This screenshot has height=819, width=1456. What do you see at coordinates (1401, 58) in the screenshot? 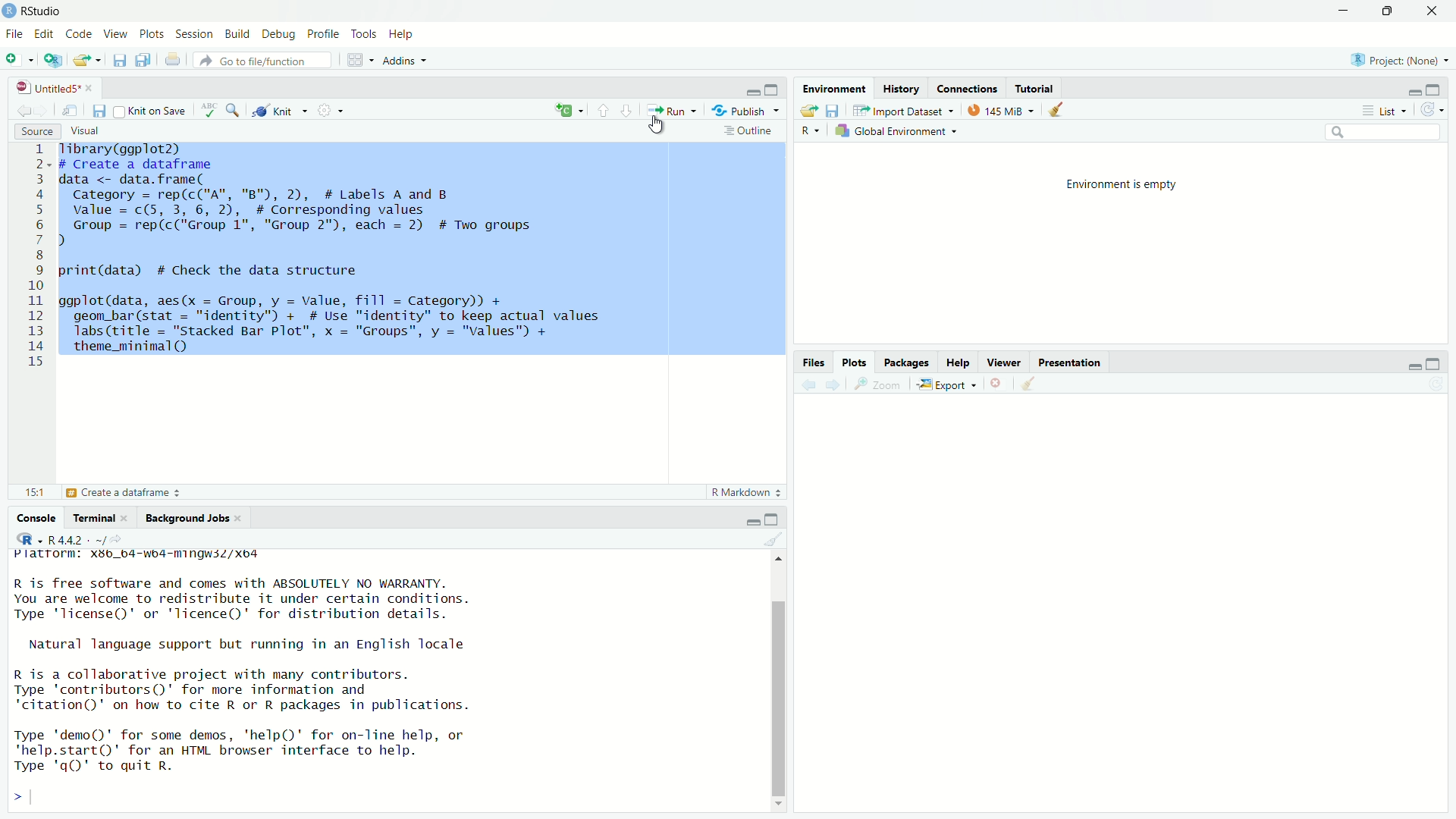
I see `Project (Note)` at bounding box center [1401, 58].